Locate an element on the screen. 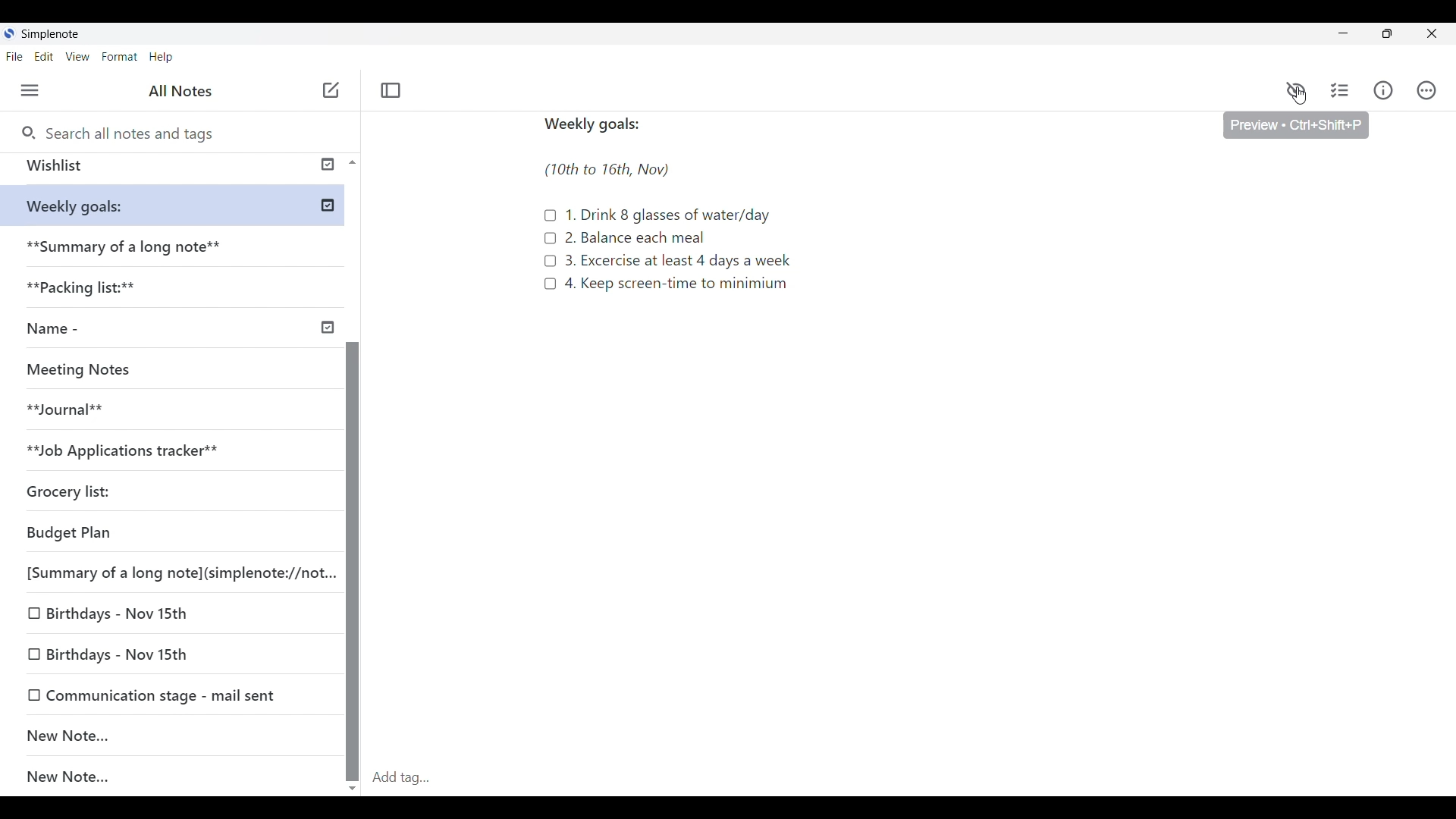 This screenshot has width=1456, height=819. **Packaging list:** is located at coordinates (94, 292).